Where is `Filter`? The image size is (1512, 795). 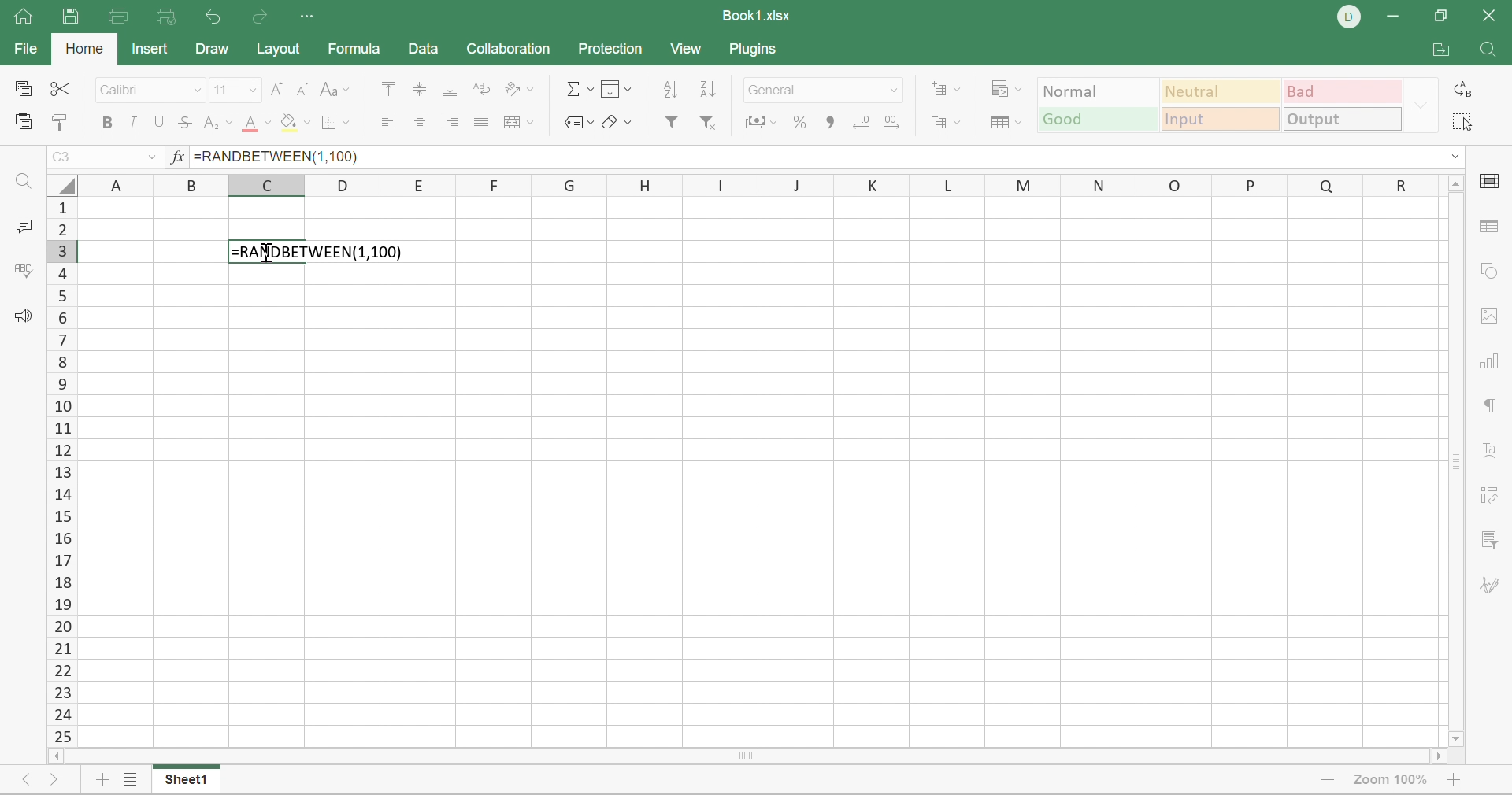 Filter is located at coordinates (673, 123).